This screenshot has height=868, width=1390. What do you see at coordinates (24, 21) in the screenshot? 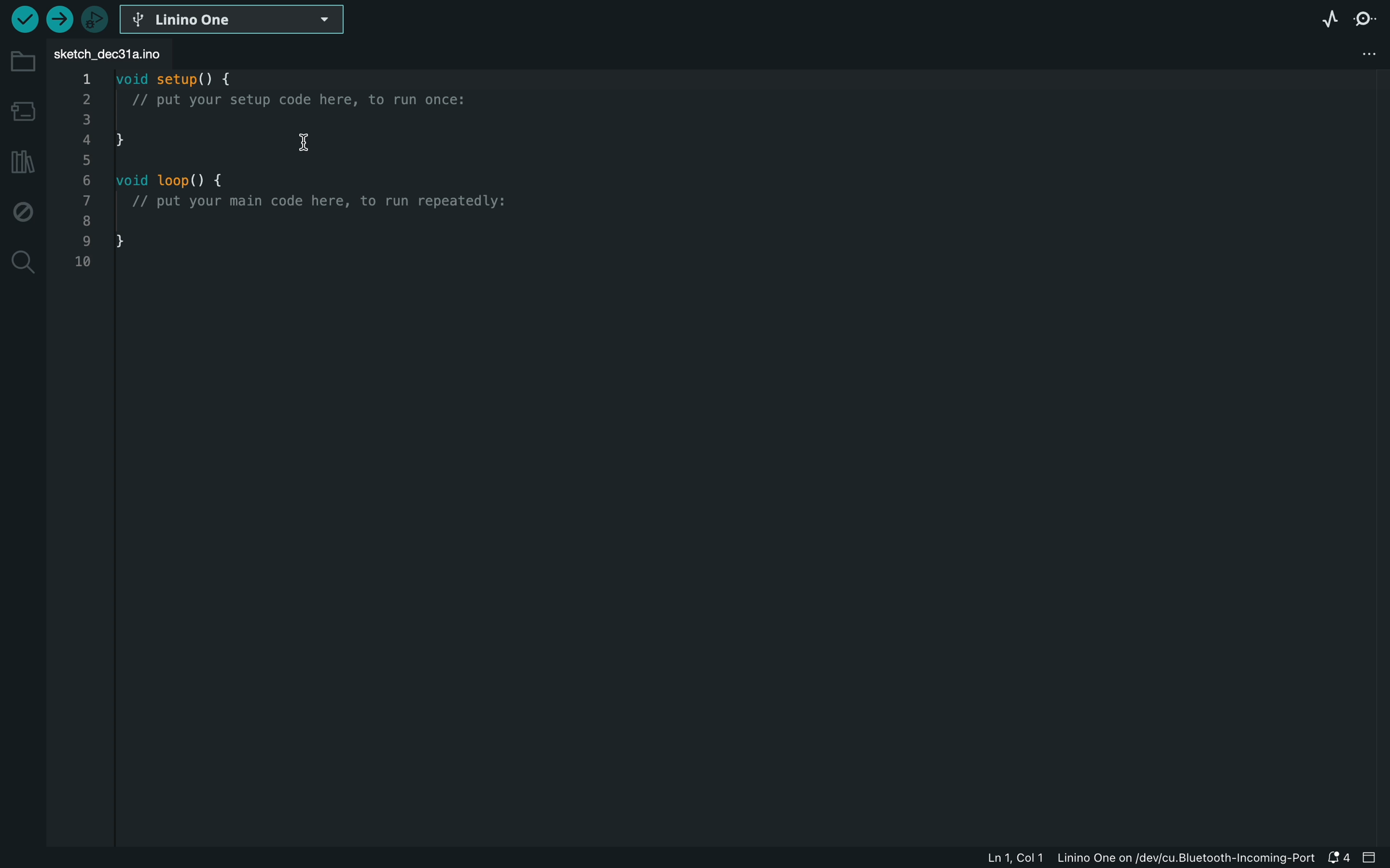
I see `upload` at bounding box center [24, 21].